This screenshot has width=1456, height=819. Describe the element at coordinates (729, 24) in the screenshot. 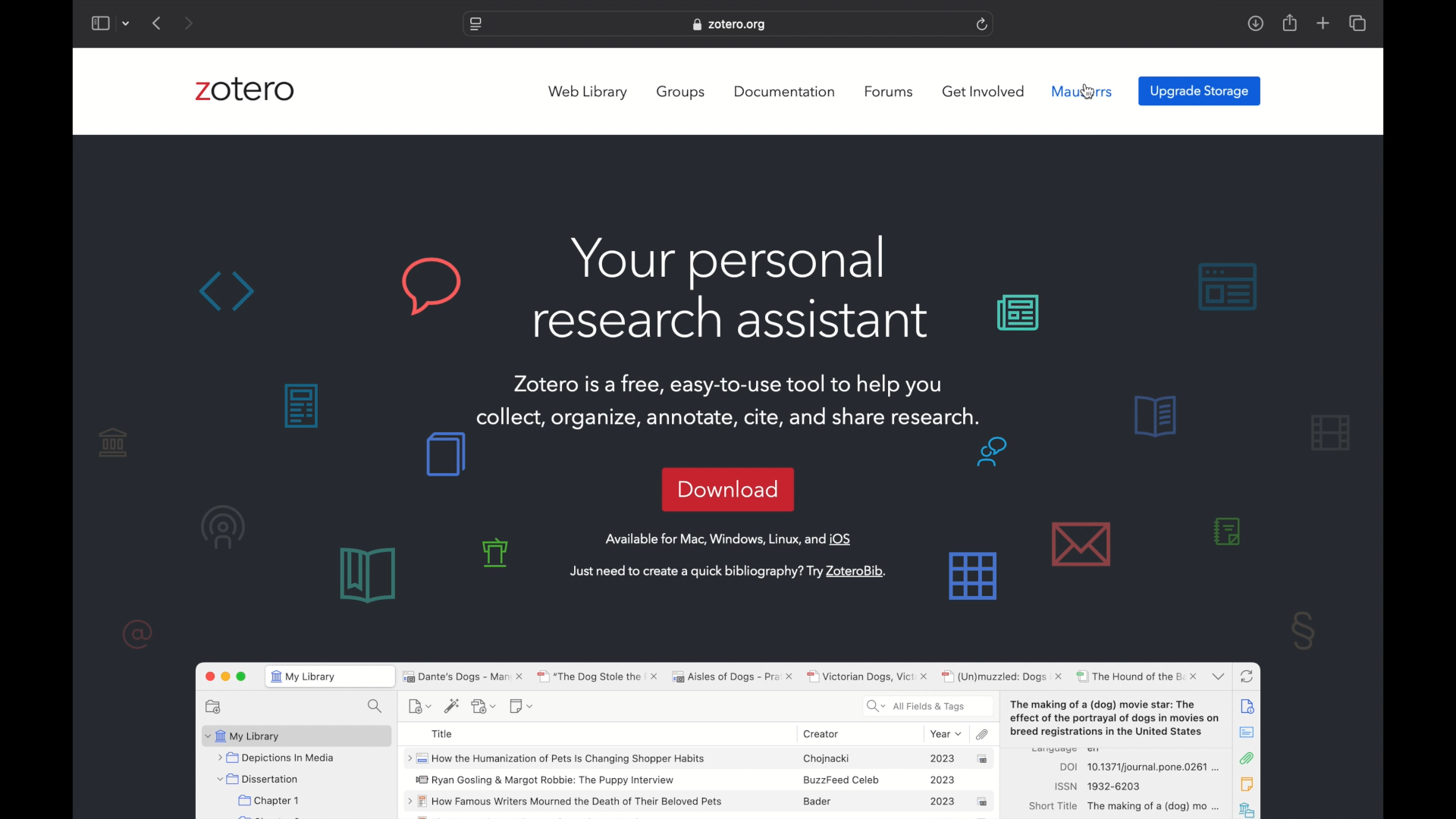

I see `website address` at that location.